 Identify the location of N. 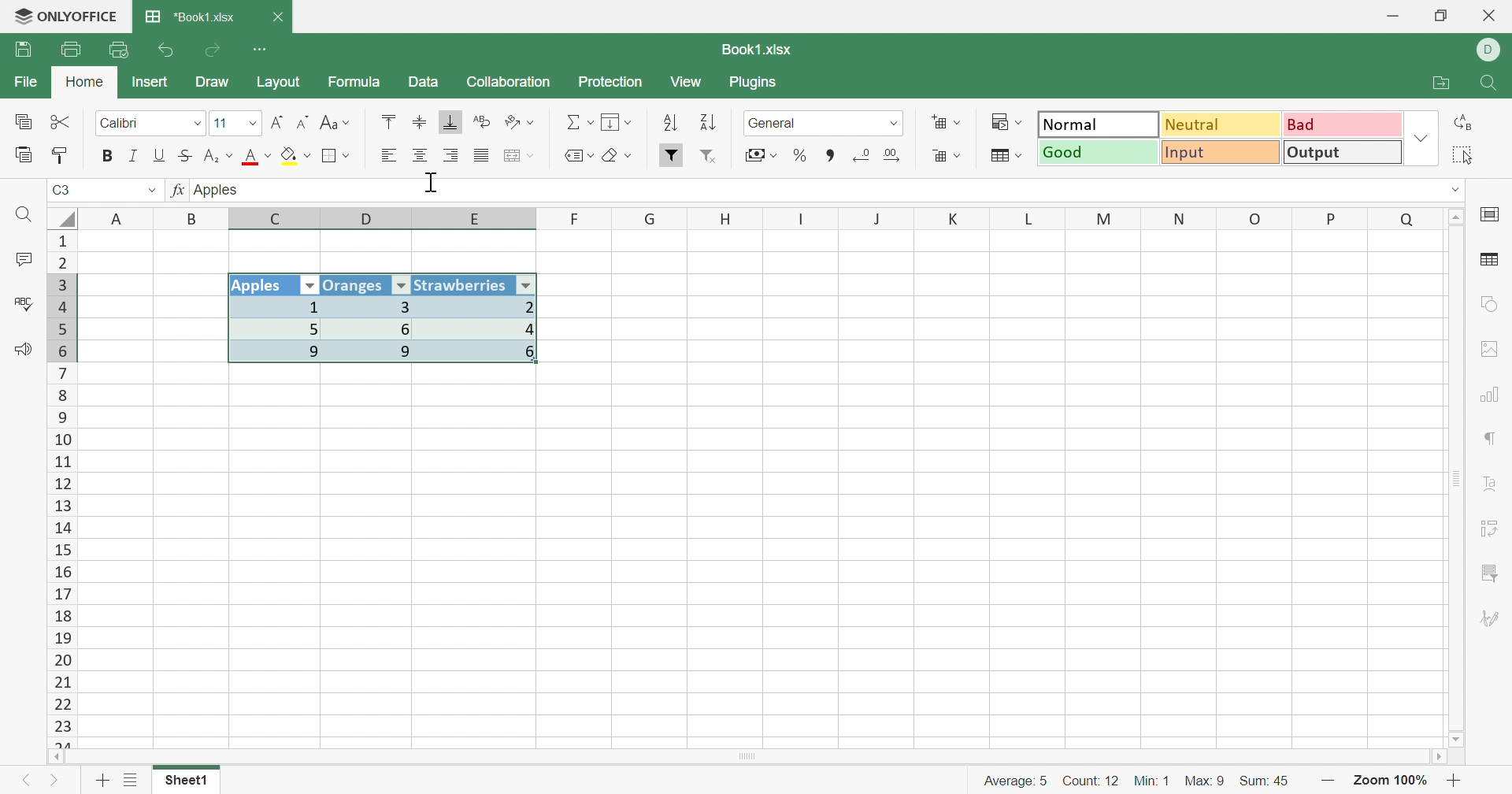
(1177, 218).